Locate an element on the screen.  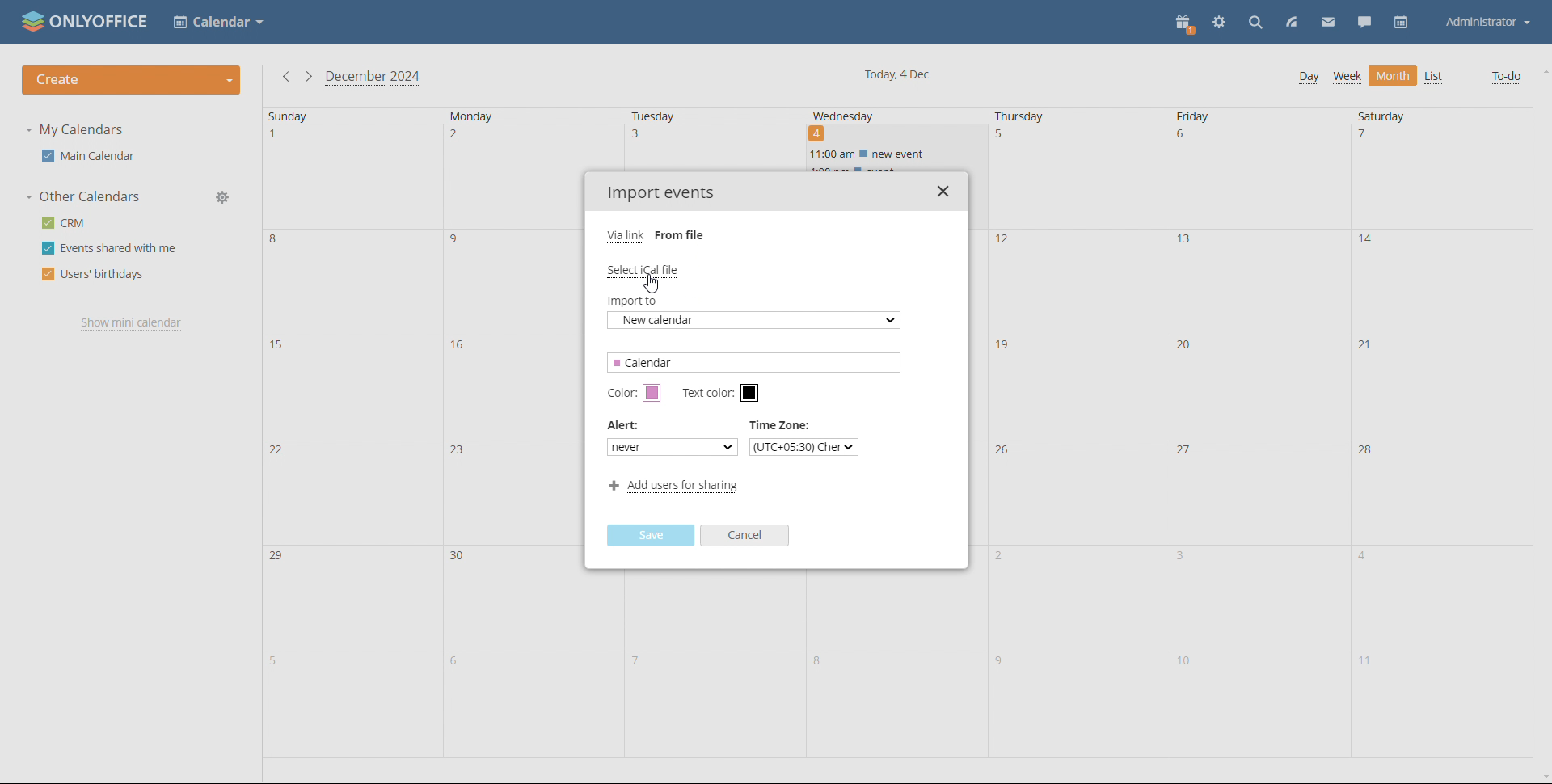
from file is located at coordinates (684, 235).